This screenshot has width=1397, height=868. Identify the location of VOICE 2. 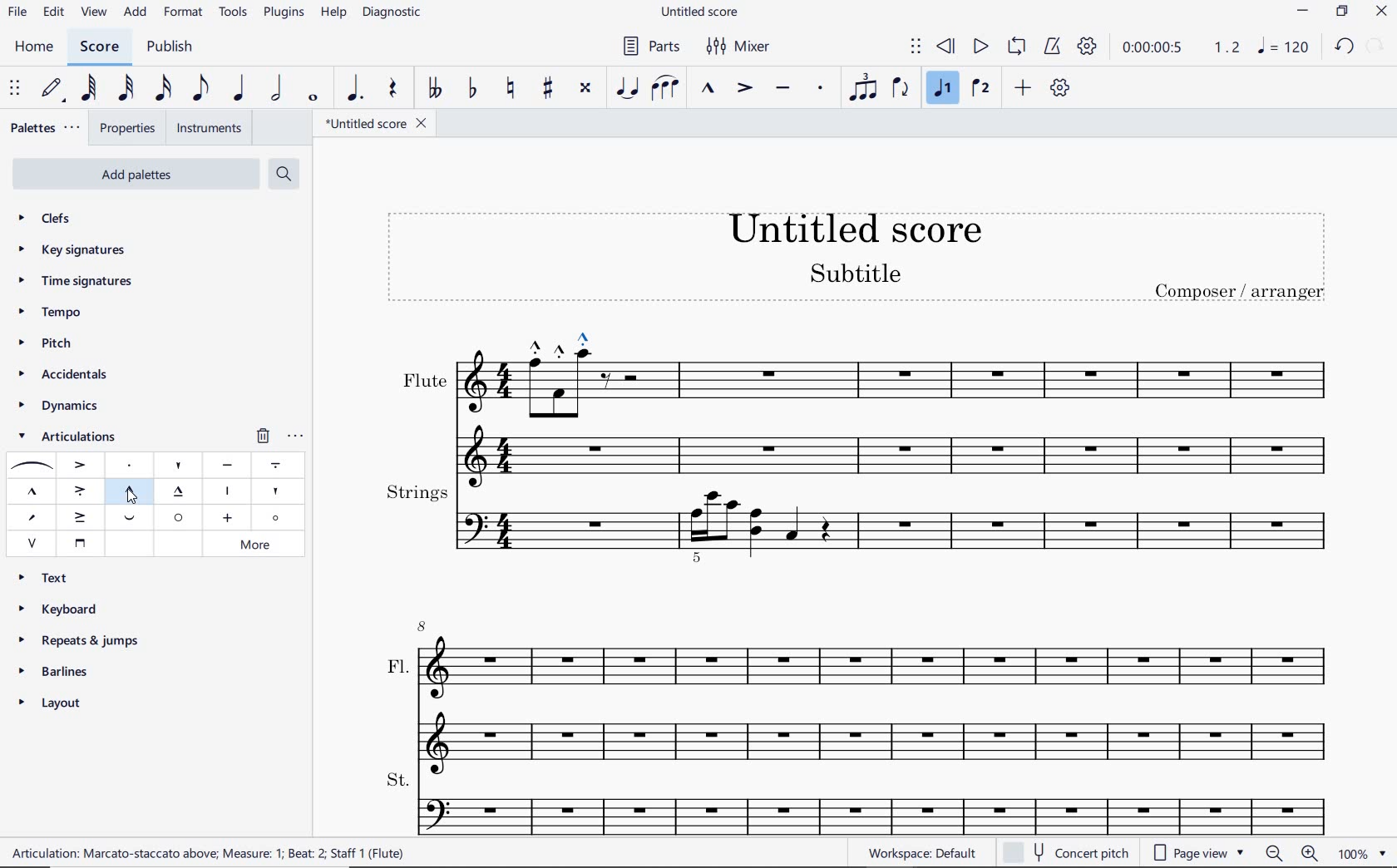
(980, 89).